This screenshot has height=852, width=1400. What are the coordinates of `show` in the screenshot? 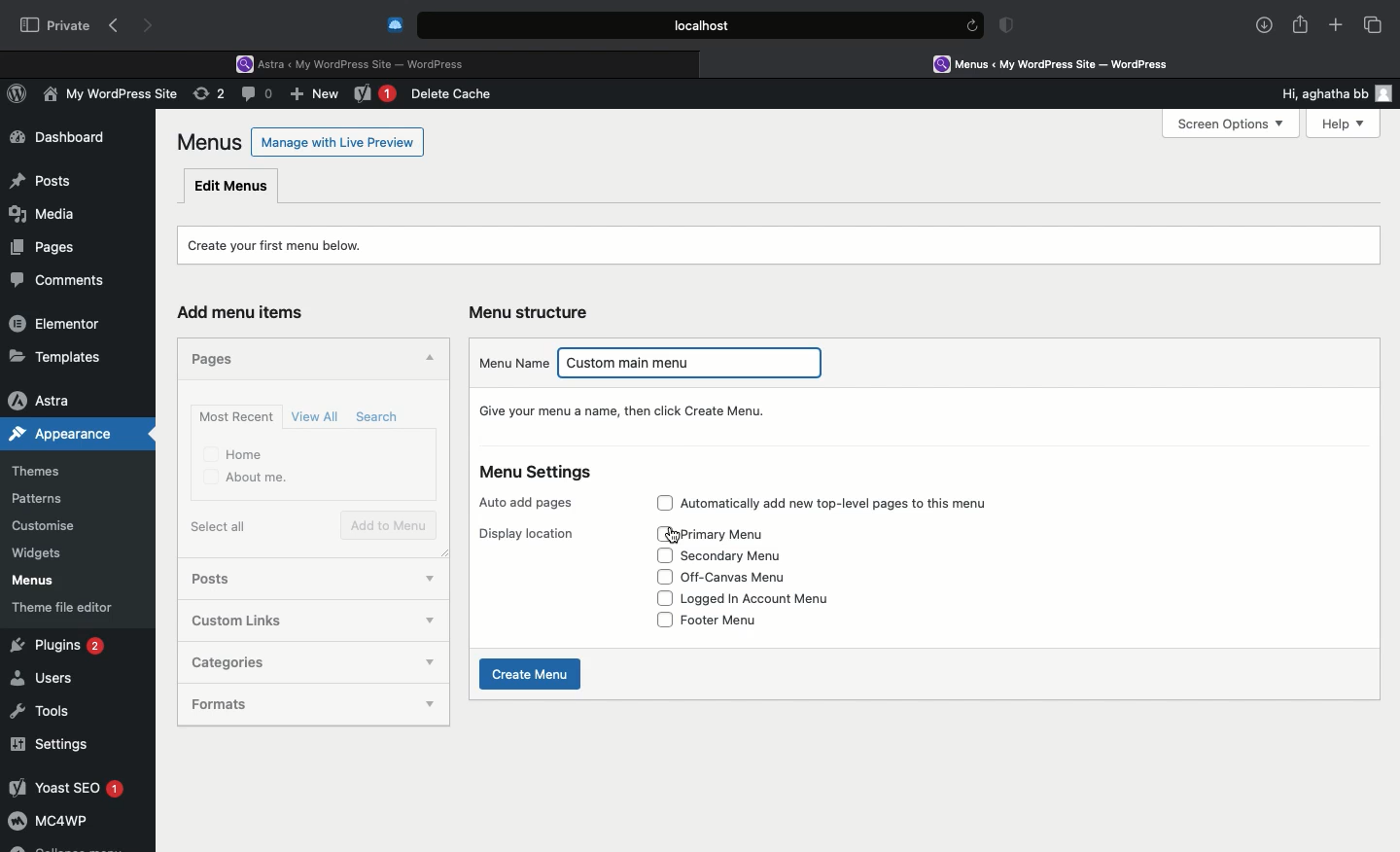 It's located at (428, 621).